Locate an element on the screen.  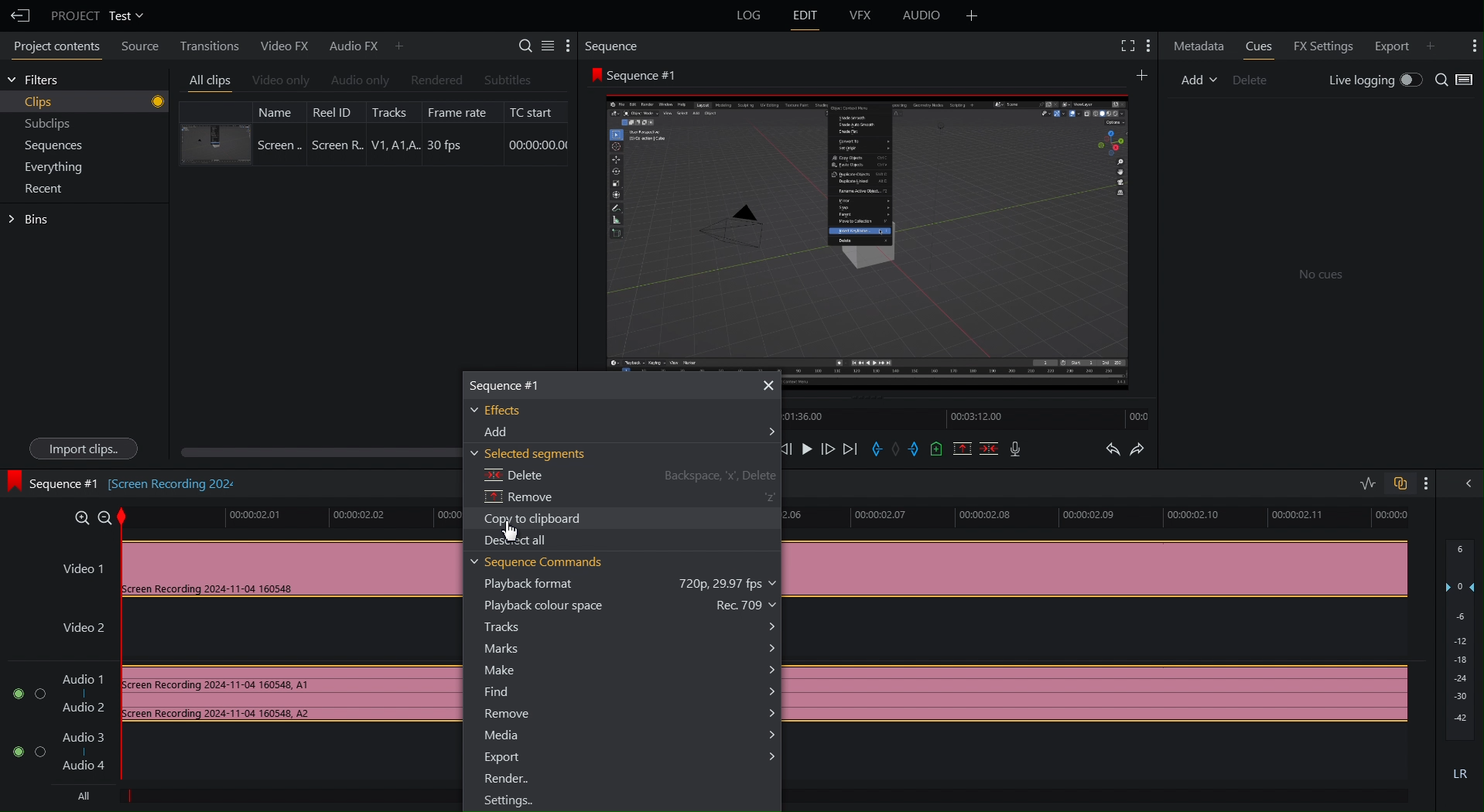
Zoom is located at coordinates (92, 517).